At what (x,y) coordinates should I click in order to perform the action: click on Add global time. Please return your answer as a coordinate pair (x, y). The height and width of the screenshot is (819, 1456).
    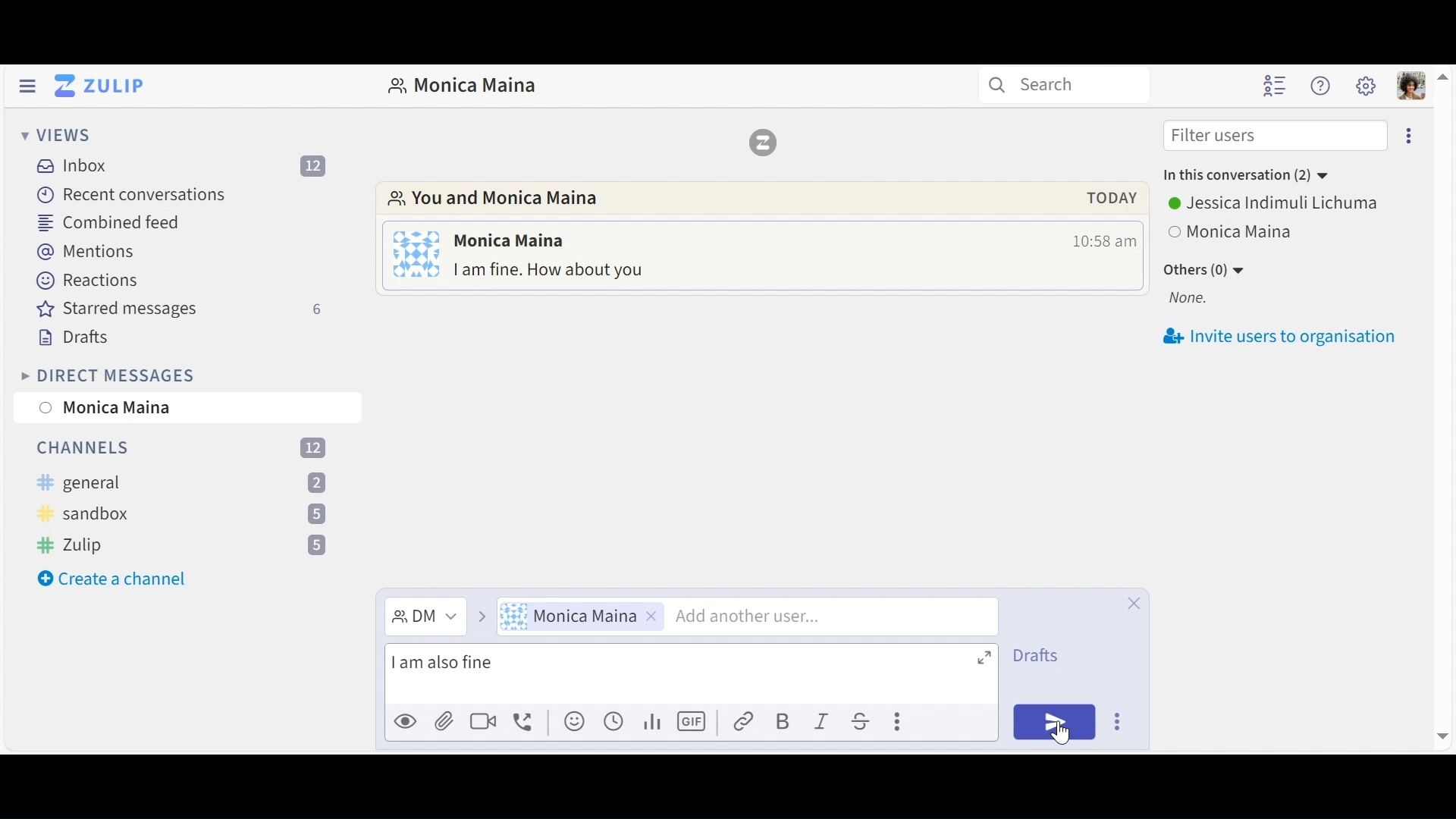
    Looking at the image, I should click on (616, 722).